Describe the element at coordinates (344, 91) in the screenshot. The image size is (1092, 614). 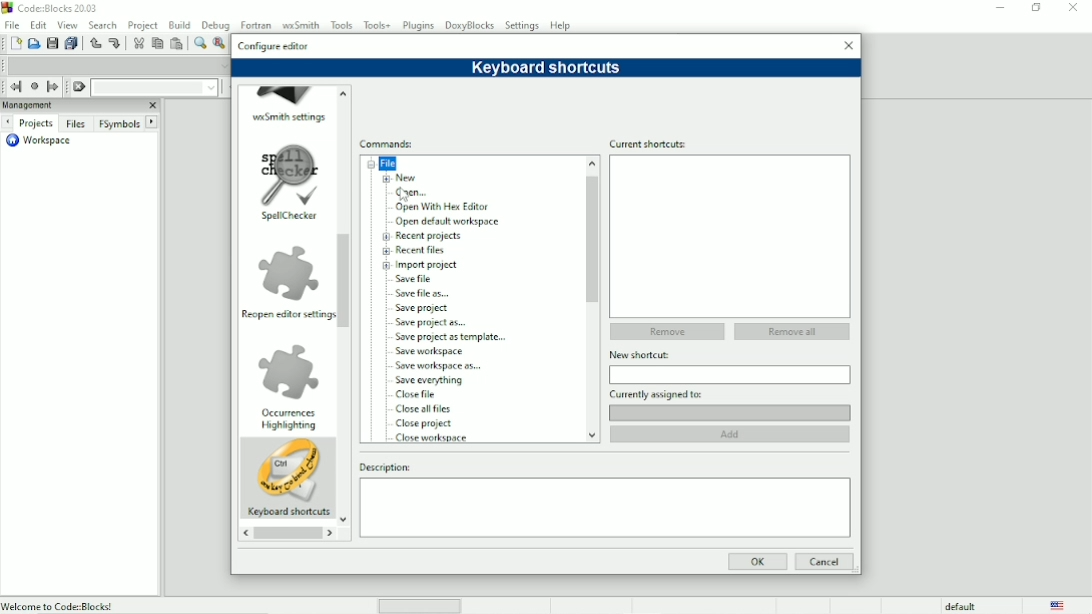
I see `up` at that location.